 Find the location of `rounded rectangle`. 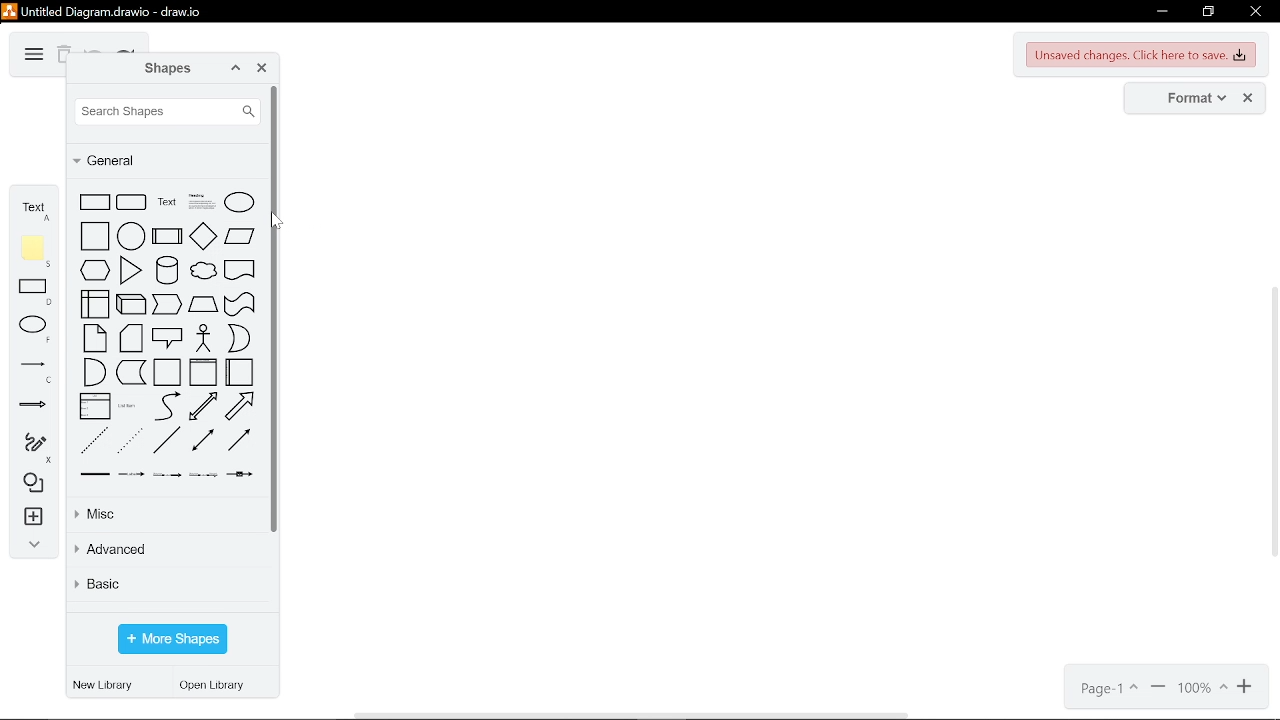

rounded rectangle is located at coordinates (132, 202).